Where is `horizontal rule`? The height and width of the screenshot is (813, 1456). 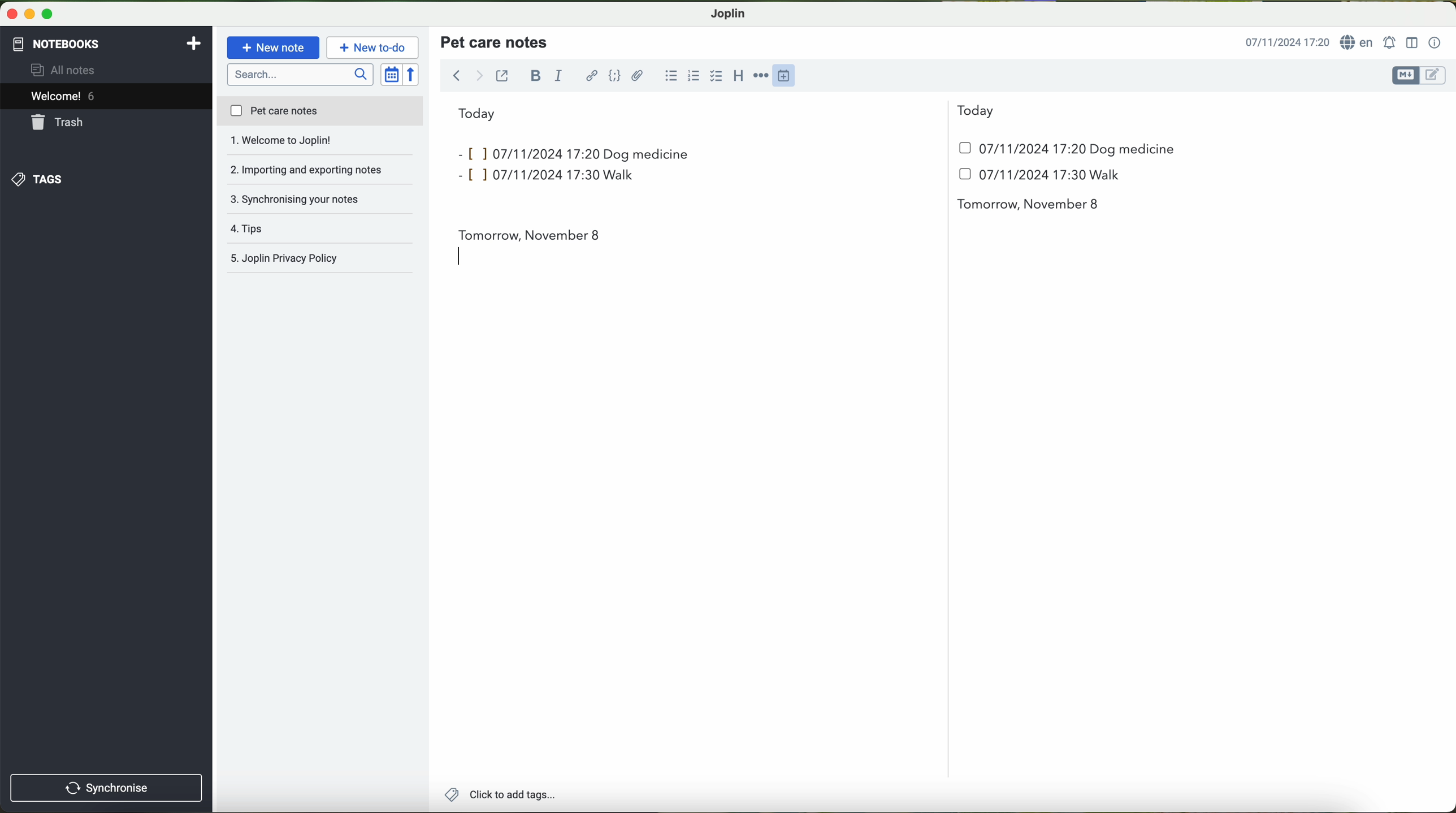
horizontal rule is located at coordinates (763, 76).